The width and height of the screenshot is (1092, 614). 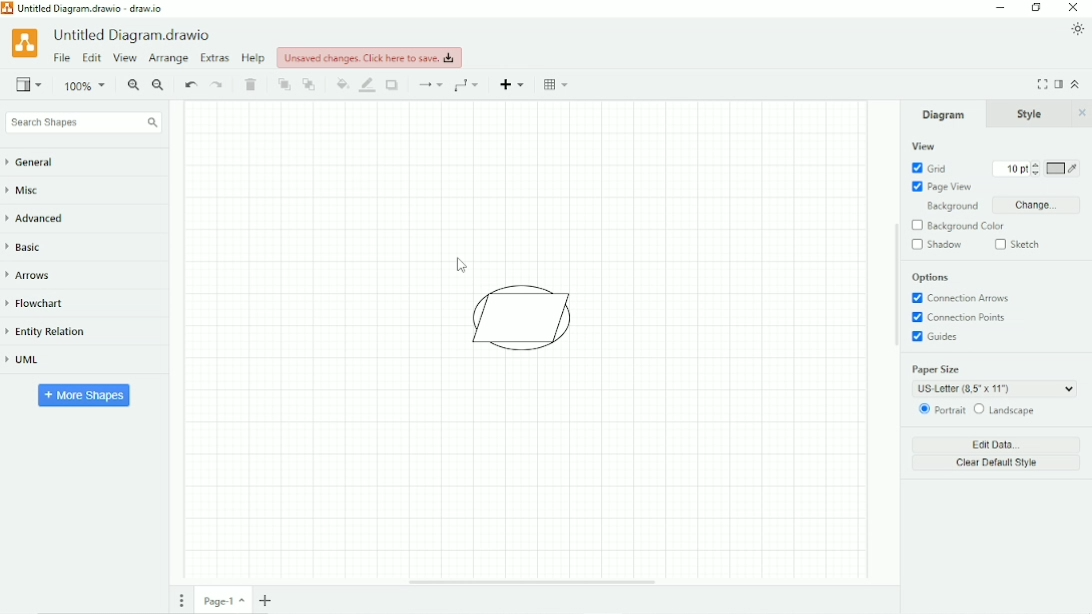 I want to click on Cursor, so click(x=461, y=263).